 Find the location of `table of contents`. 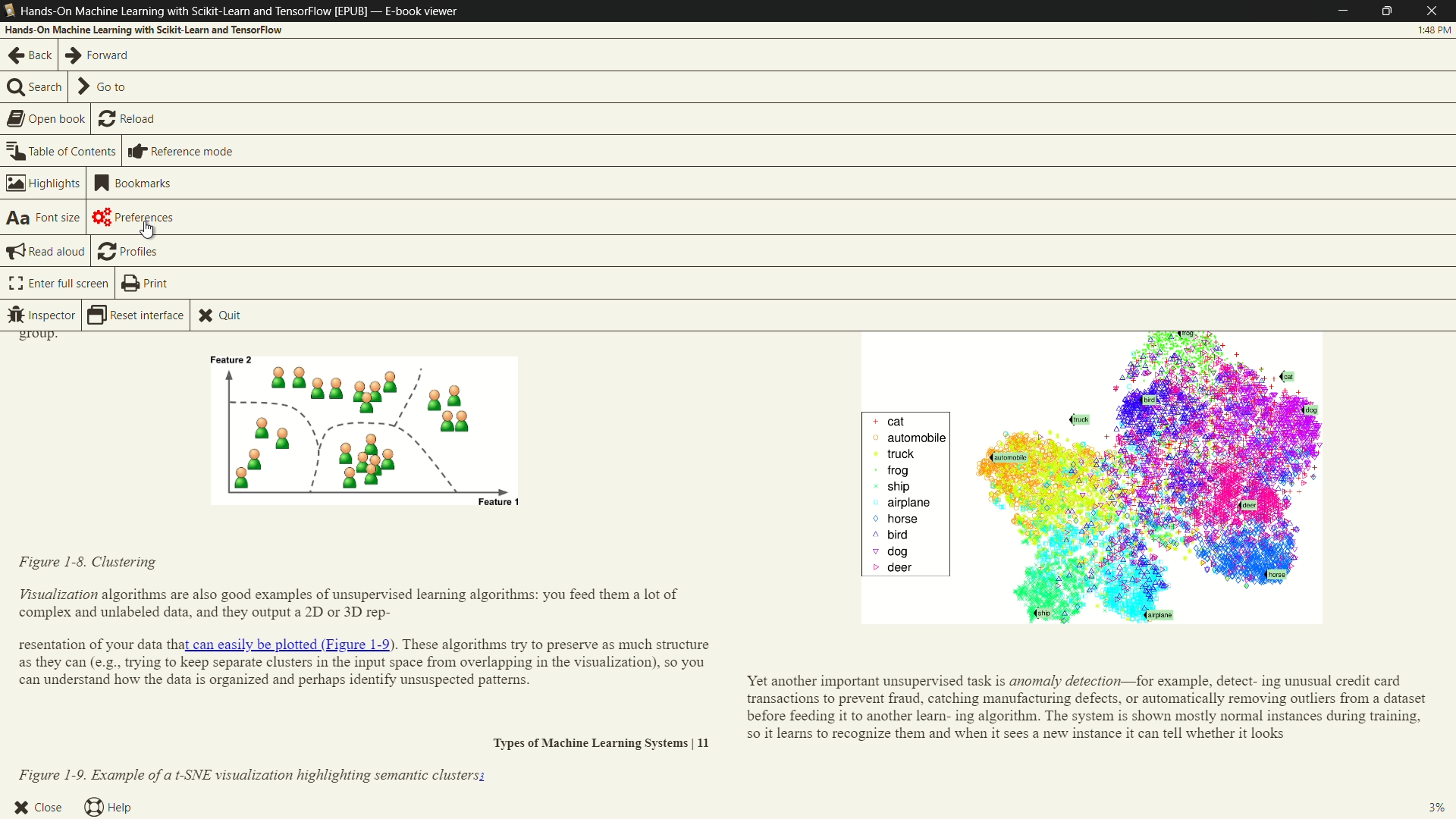

table of contents is located at coordinates (62, 151).